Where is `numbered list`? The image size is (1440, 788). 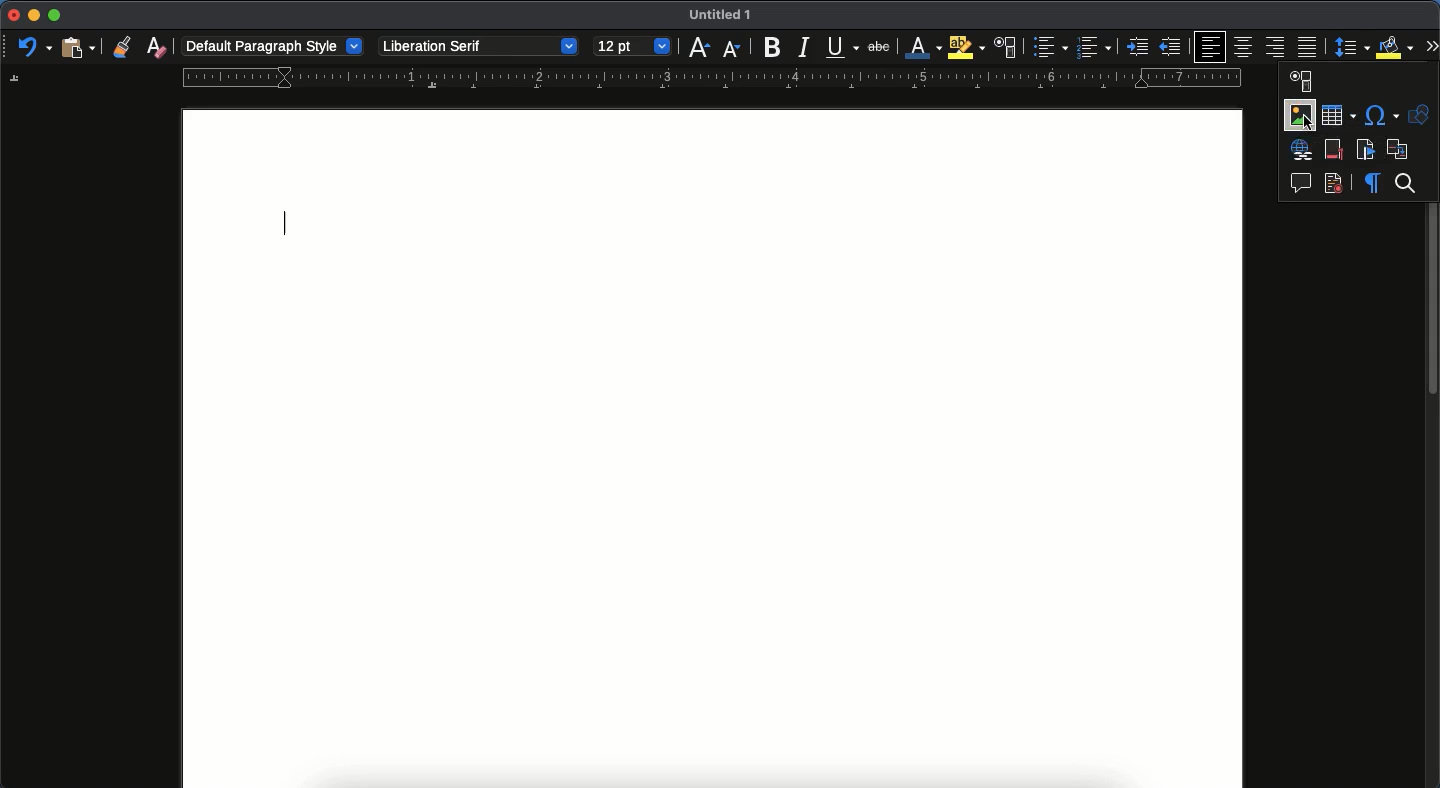
numbered list is located at coordinates (1093, 49).